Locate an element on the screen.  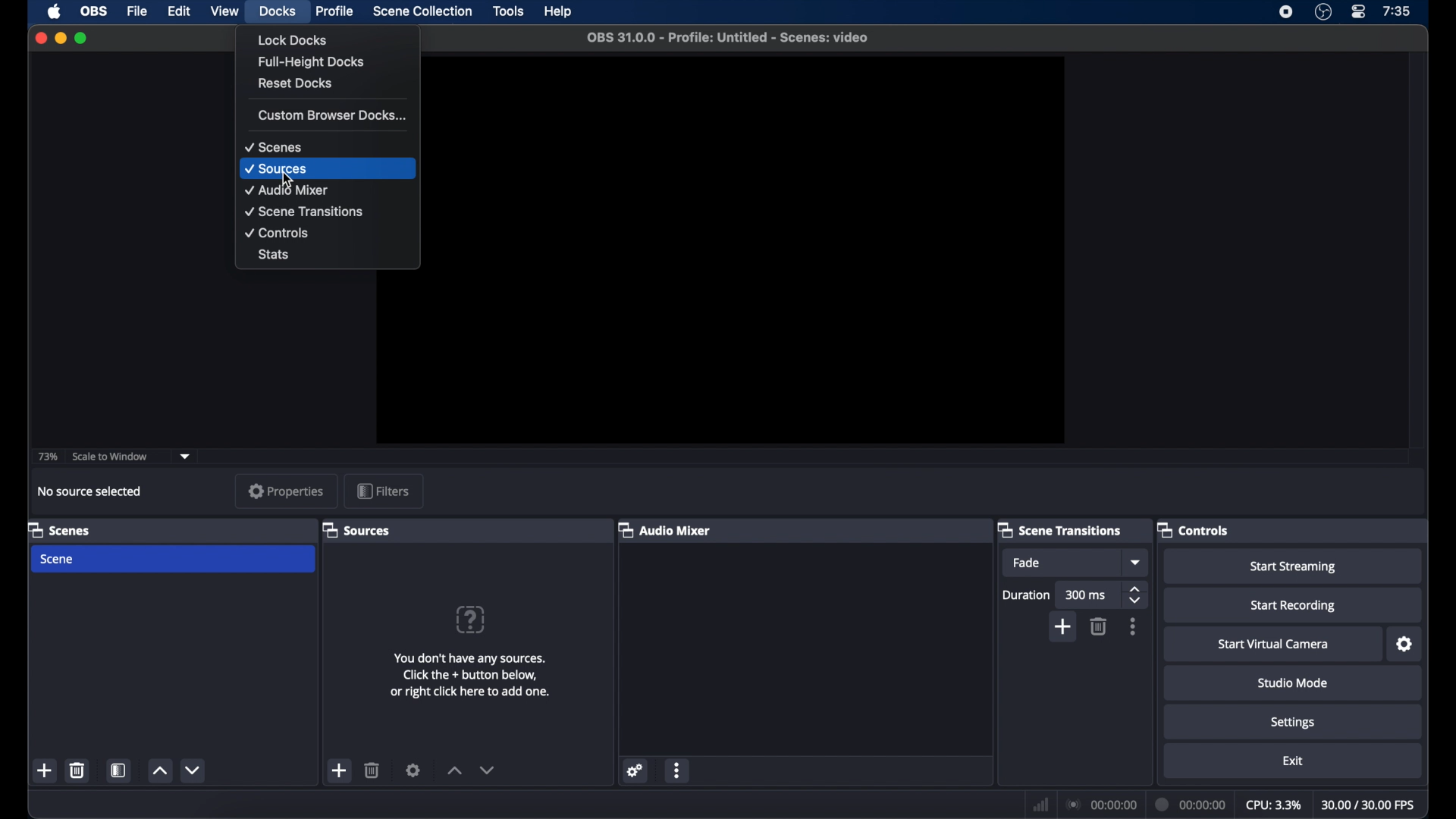
full-height docks is located at coordinates (312, 62).